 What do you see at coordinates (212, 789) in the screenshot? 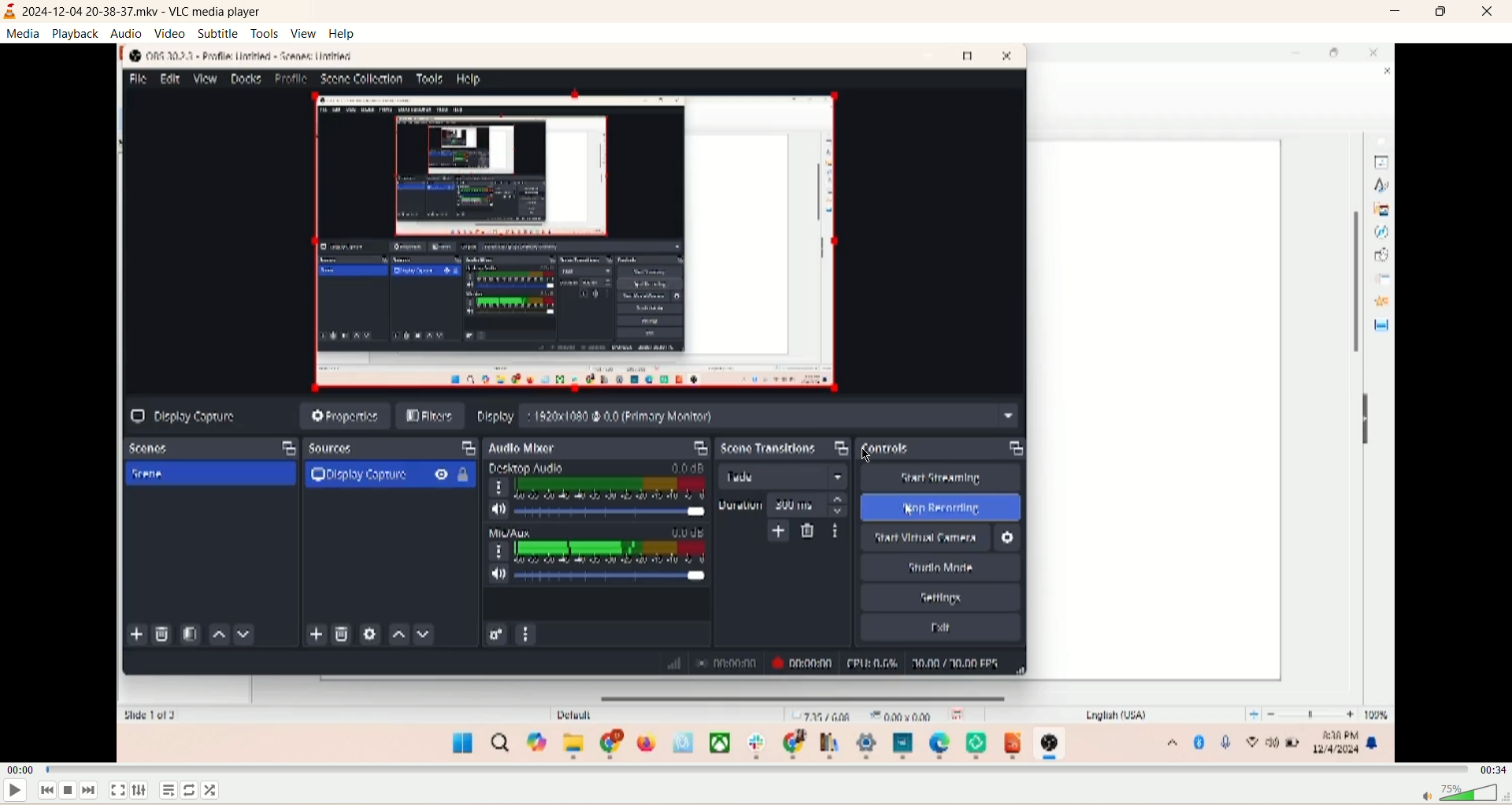
I see `shuffle` at bounding box center [212, 789].